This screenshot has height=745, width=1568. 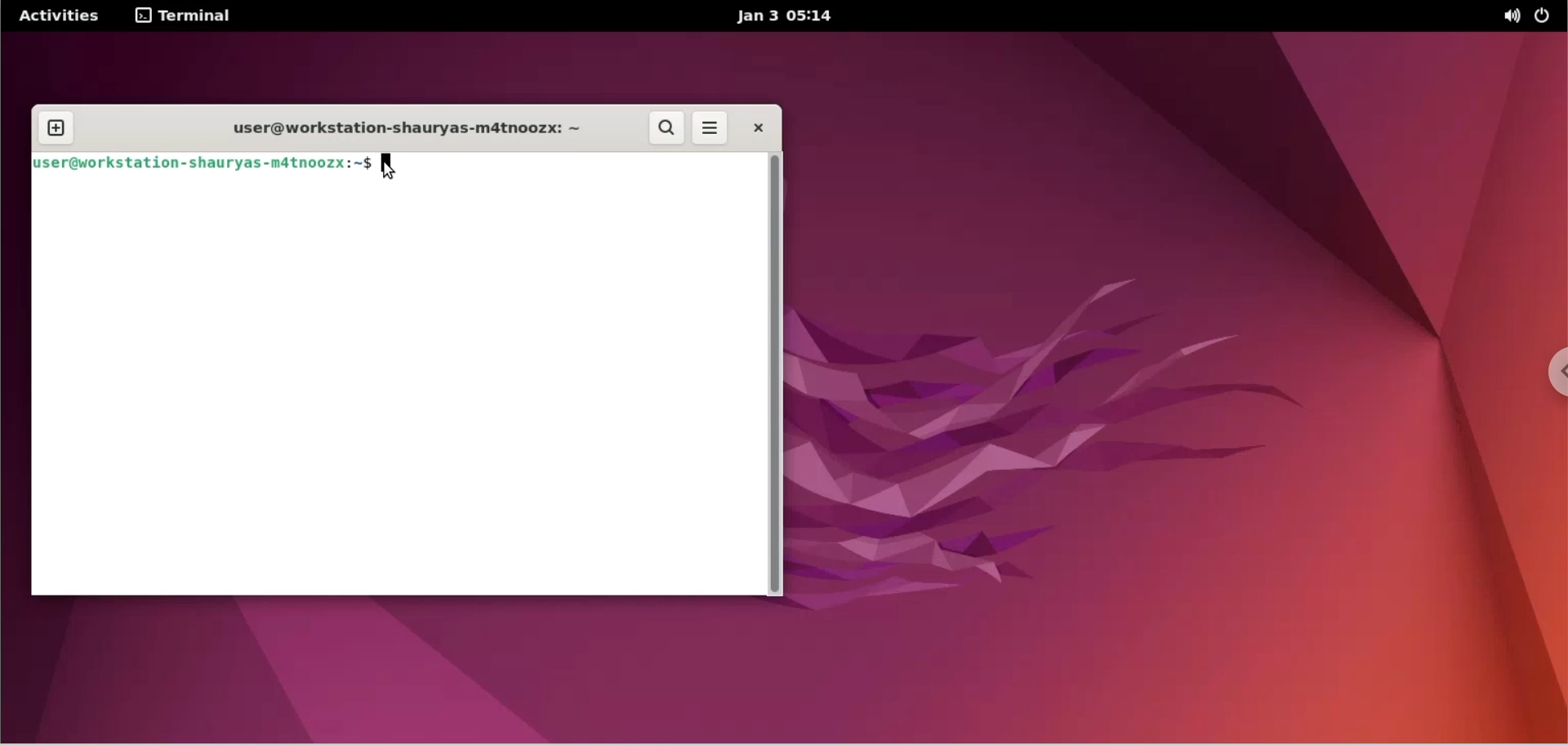 What do you see at coordinates (667, 129) in the screenshot?
I see `search ` at bounding box center [667, 129].